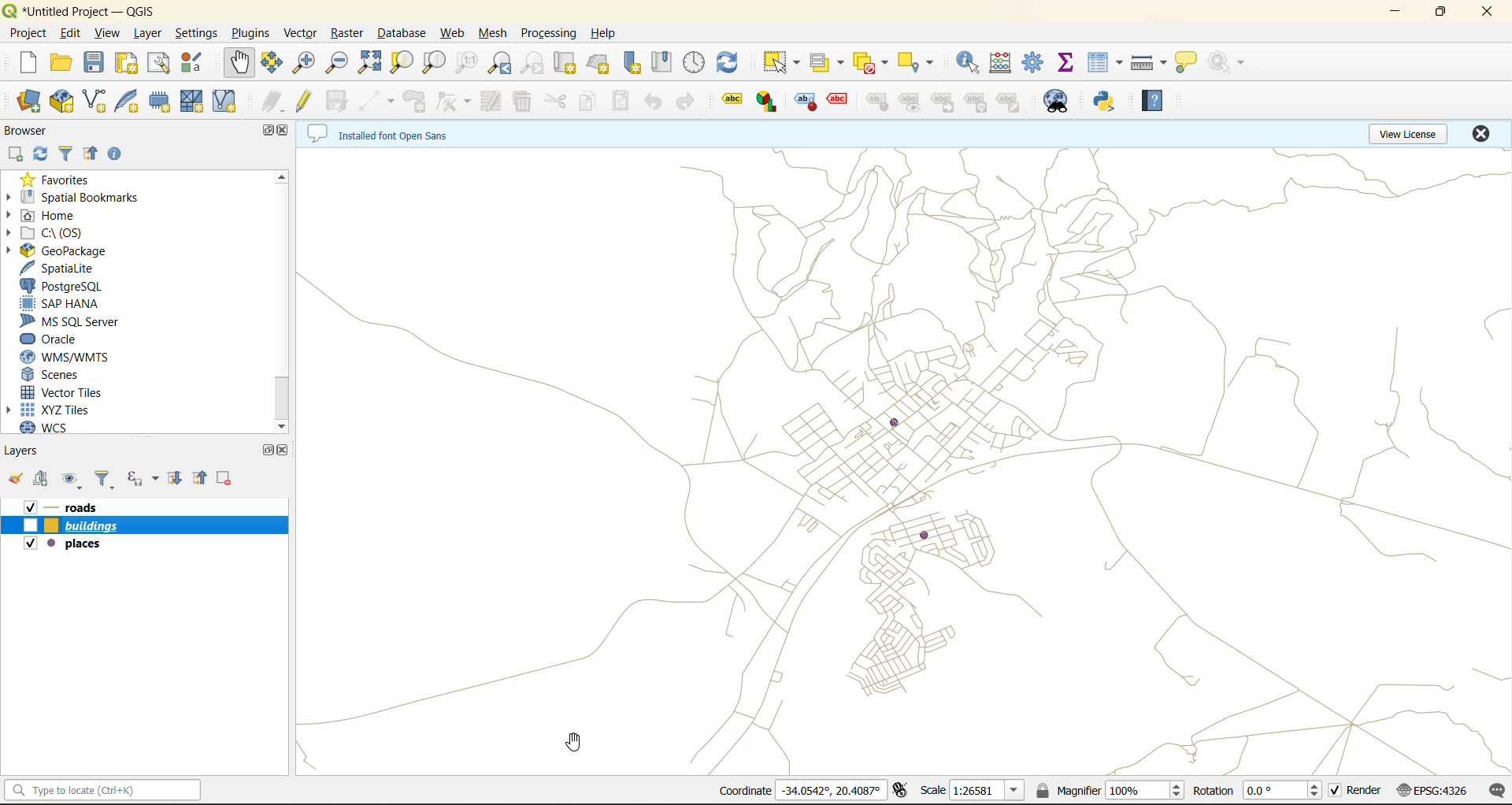 Image resolution: width=1512 pixels, height=805 pixels. I want to click on deselect value, so click(870, 62).